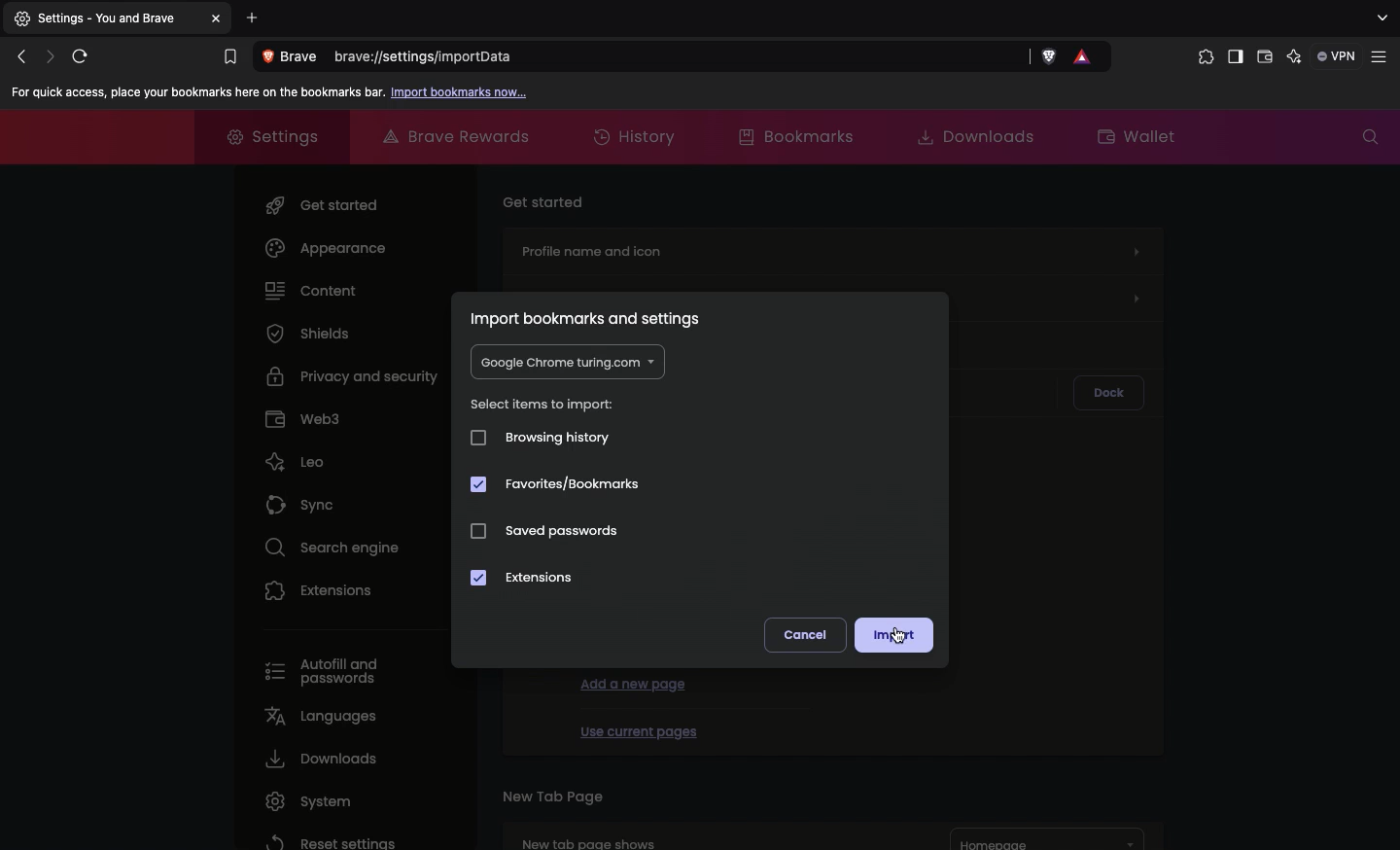 The width and height of the screenshot is (1400, 850). What do you see at coordinates (330, 673) in the screenshot?
I see `Autofill and passwords` at bounding box center [330, 673].